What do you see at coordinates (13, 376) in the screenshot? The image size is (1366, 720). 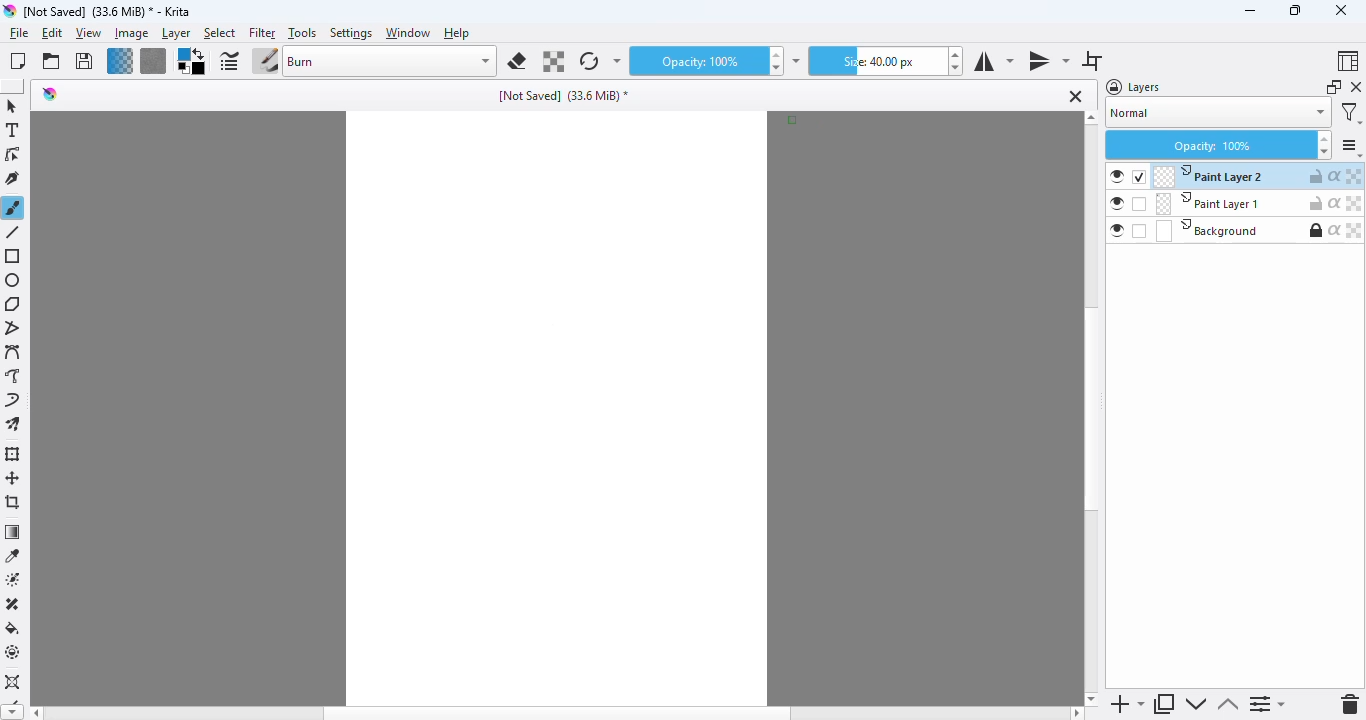 I see `freehand path tool` at bounding box center [13, 376].